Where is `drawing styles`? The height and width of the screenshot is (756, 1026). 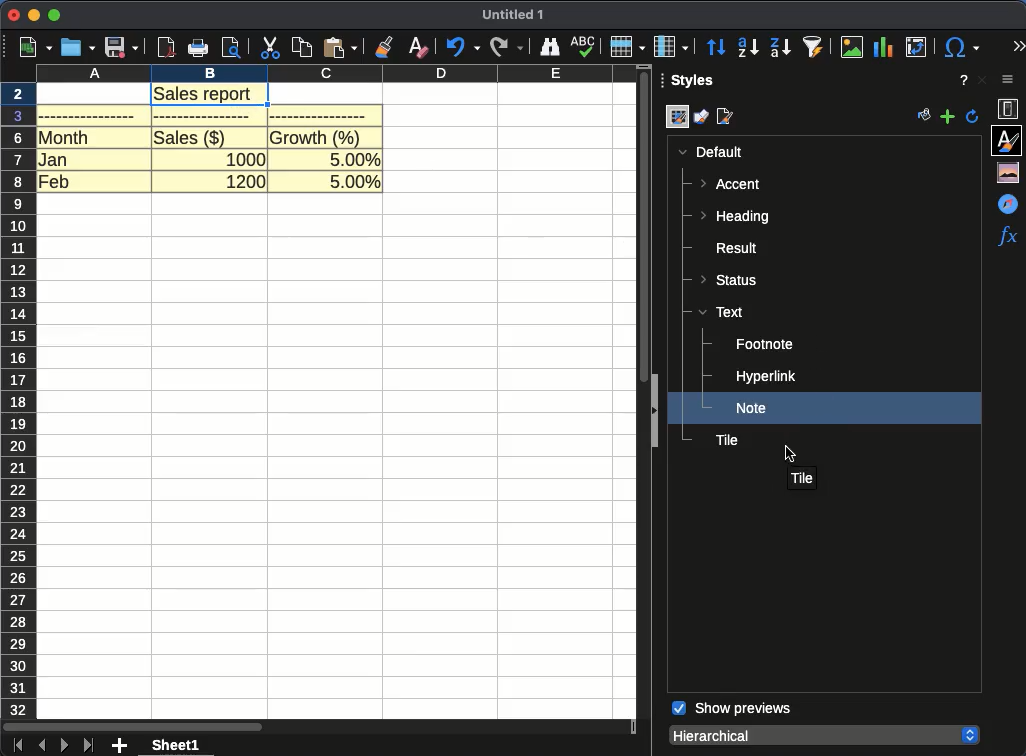 drawing styles is located at coordinates (701, 119).